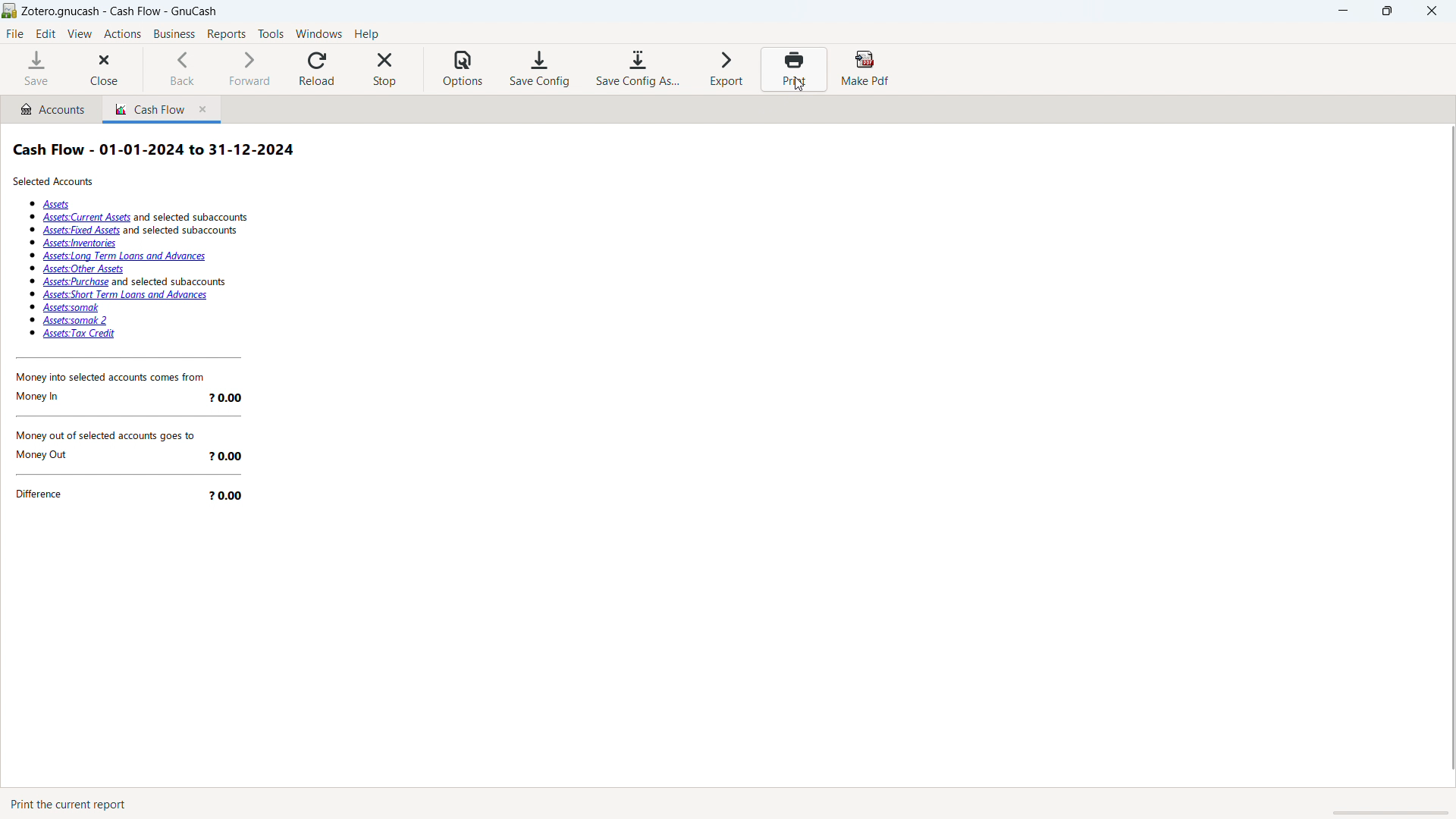 Image resolution: width=1456 pixels, height=819 pixels. Describe the element at coordinates (127, 256) in the screenshot. I see `Assets: long term loans and advances` at that location.